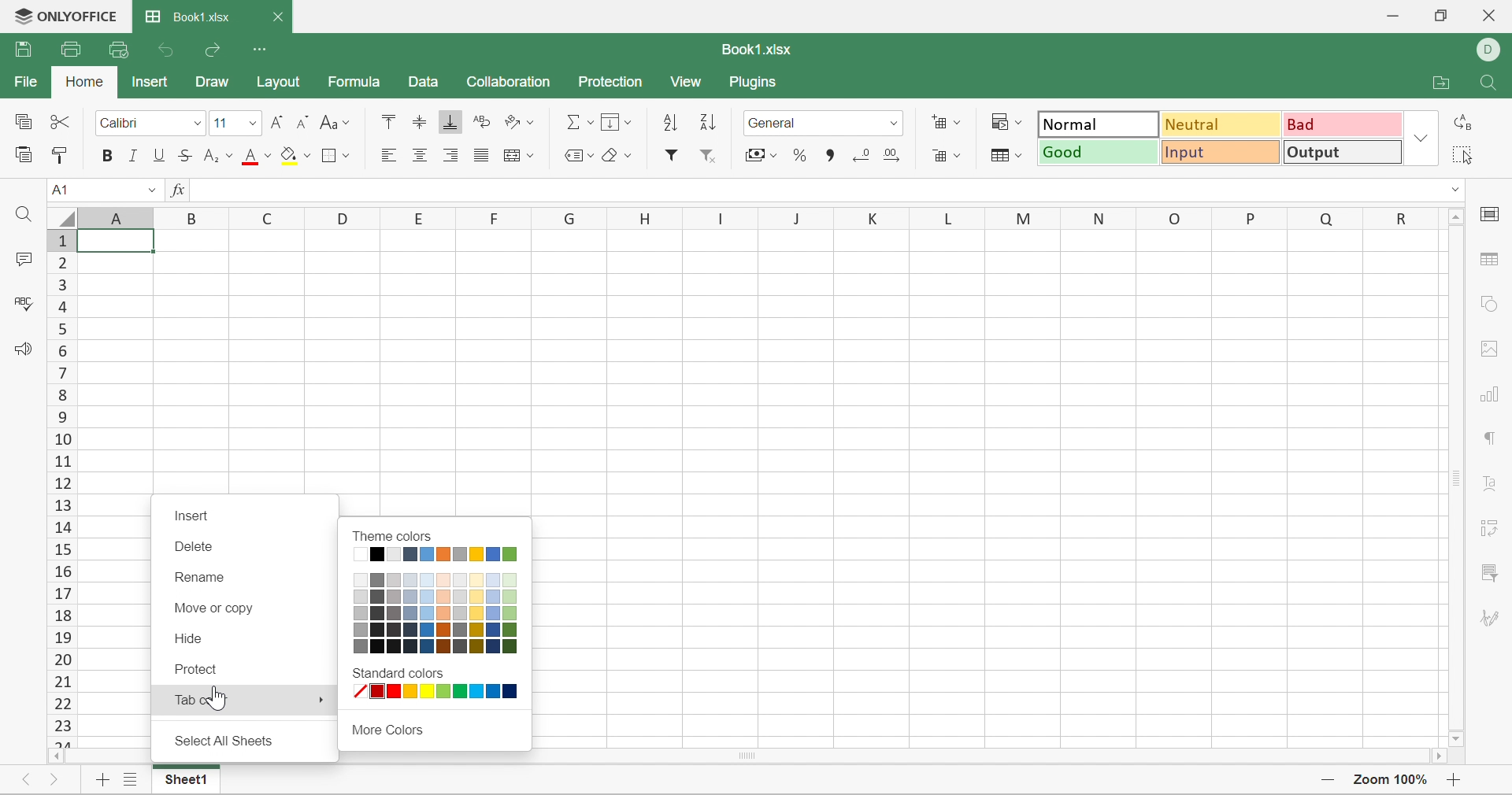 This screenshot has height=795, width=1512. Describe the element at coordinates (579, 124) in the screenshot. I see `Summation` at that location.